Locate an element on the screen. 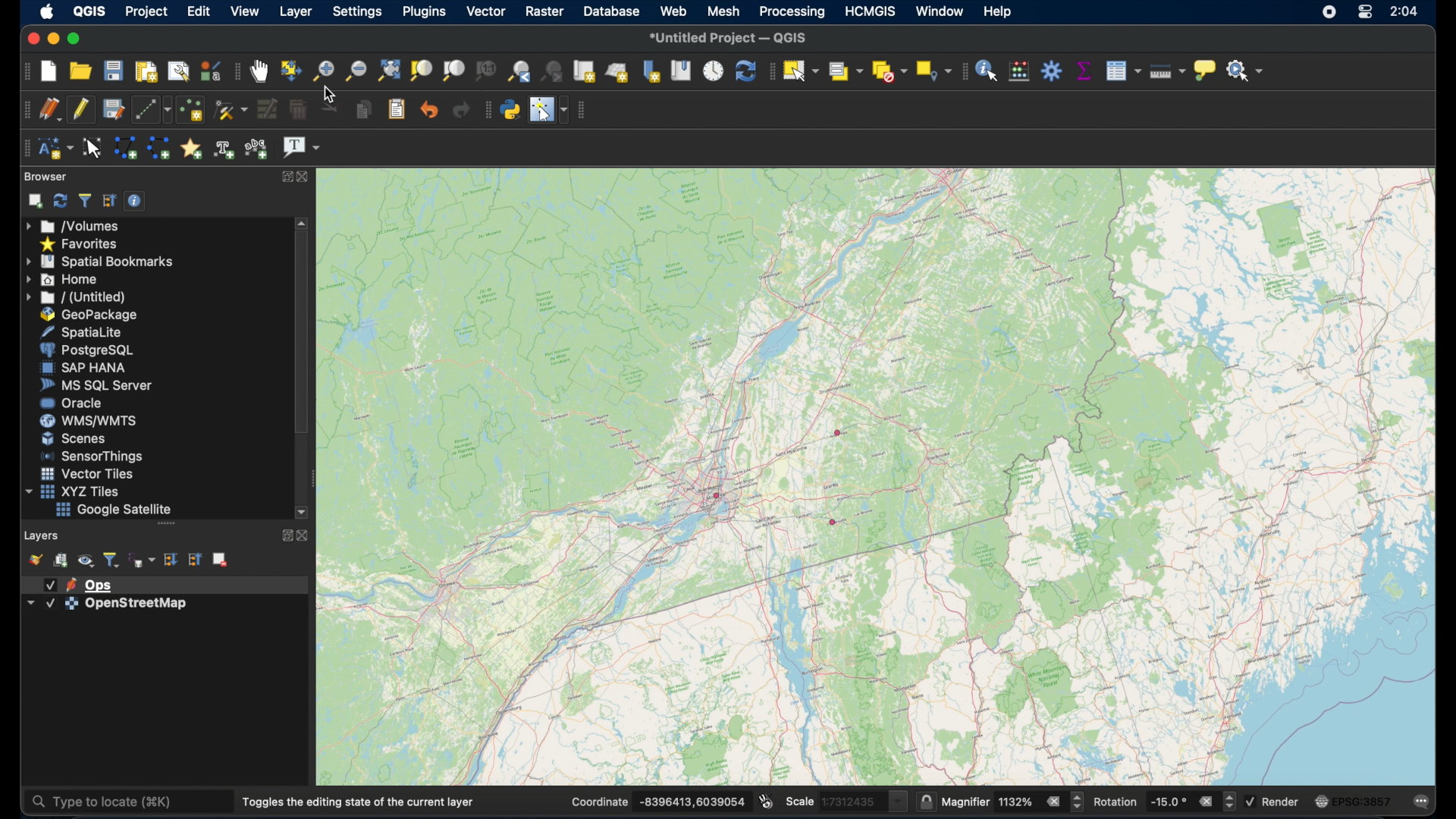 This screenshot has height=819, width=1456. vector tiles is located at coordinates (84, 473).